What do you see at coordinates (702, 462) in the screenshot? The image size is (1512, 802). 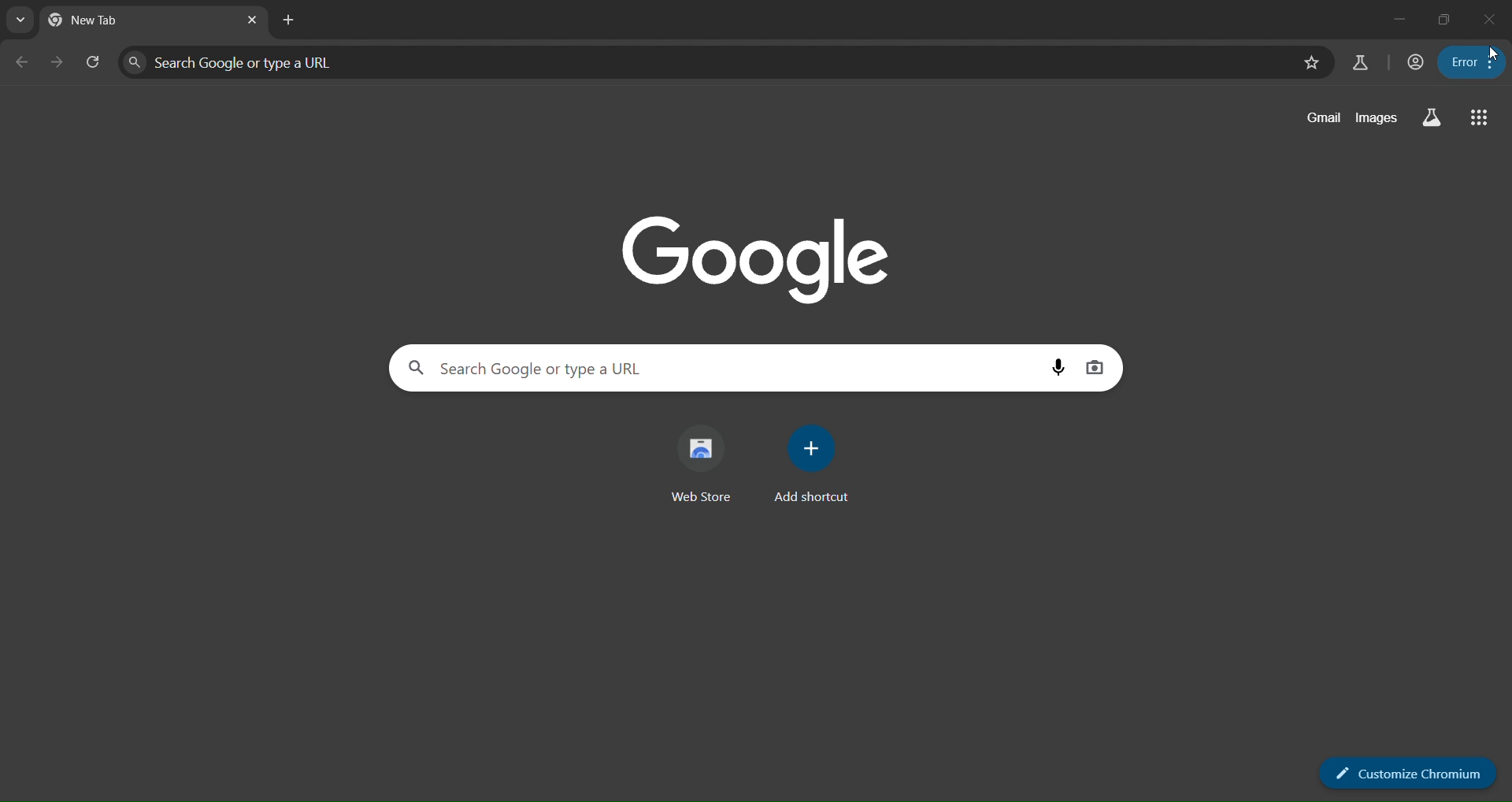 I see `web store` at bounding box center [702, 462].